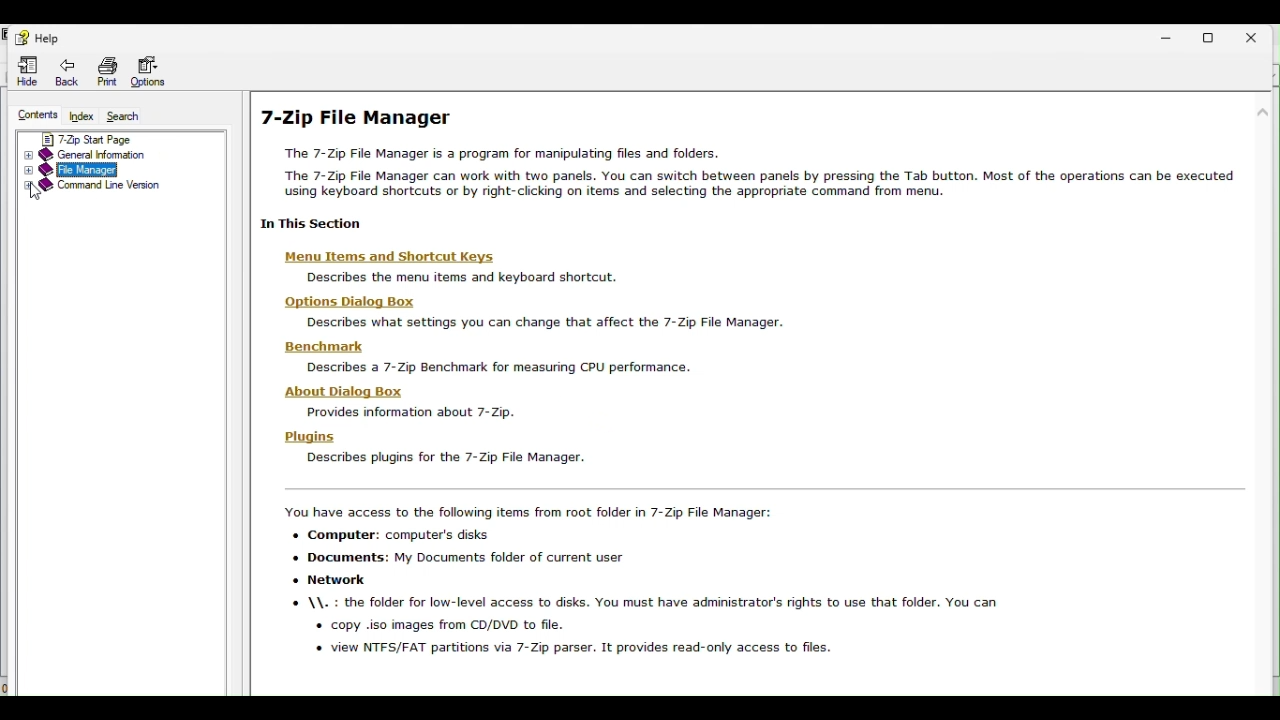 The image size is (1280, 720). Describe the element at coordinates (635, 579) in the screenshot. I see `You have access to the following items from root folder in 7-Zip File Manager:
«+ Computer: computer's disks
+ Documents: My Documents folder of current user
«+ Network
© \\. : the folder for low-level access to disks. You must have administrator's rights to use that folder. You can
« copy .iso images from CD/DVD to file.
« view NTFS/FAT partitions via 7-Zip parser. It provides read-only access to files.` at that location.